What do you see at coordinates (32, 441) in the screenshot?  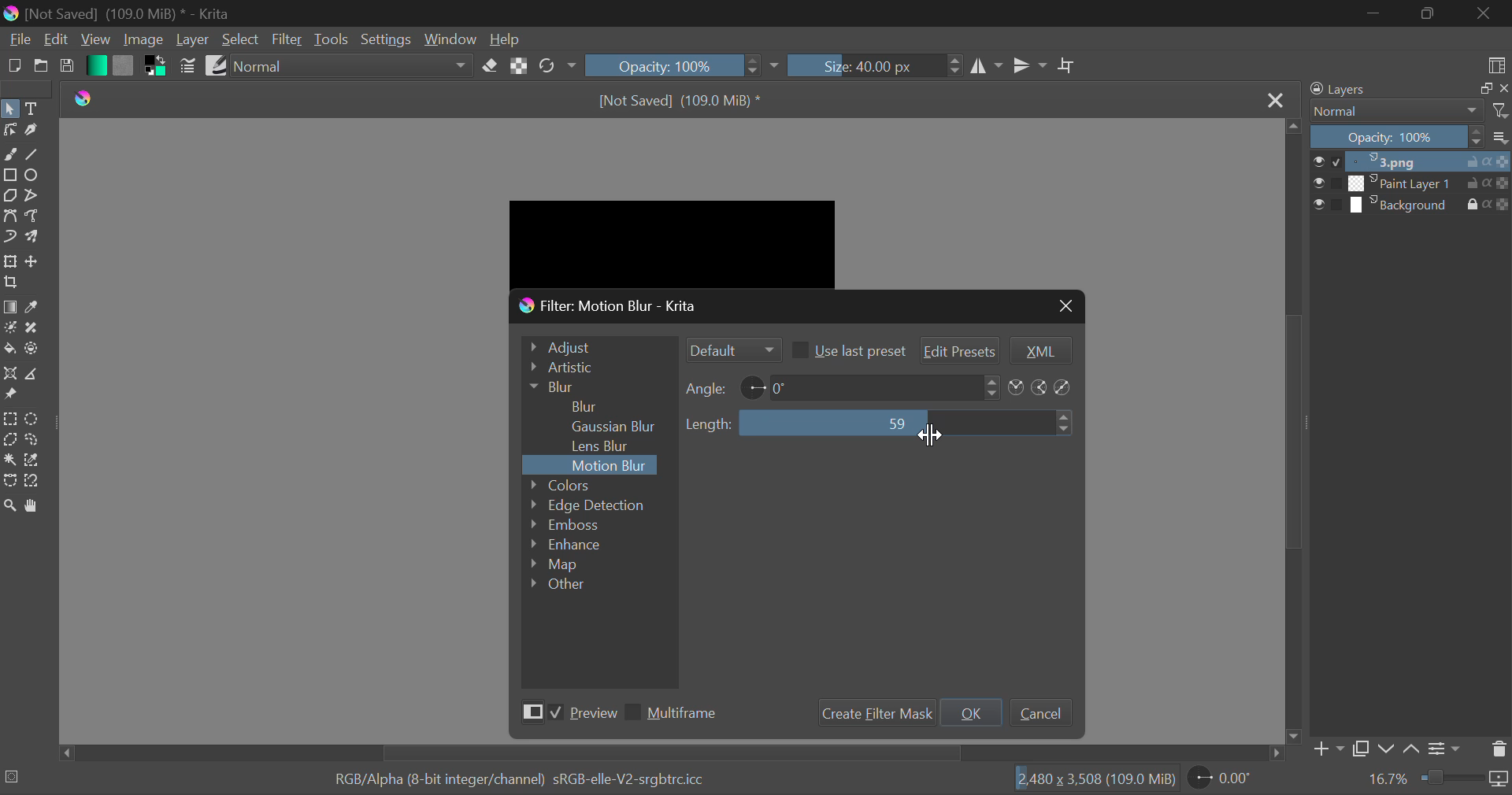 I see `Freehand Selection Tool` at bounding box center [32, 441].